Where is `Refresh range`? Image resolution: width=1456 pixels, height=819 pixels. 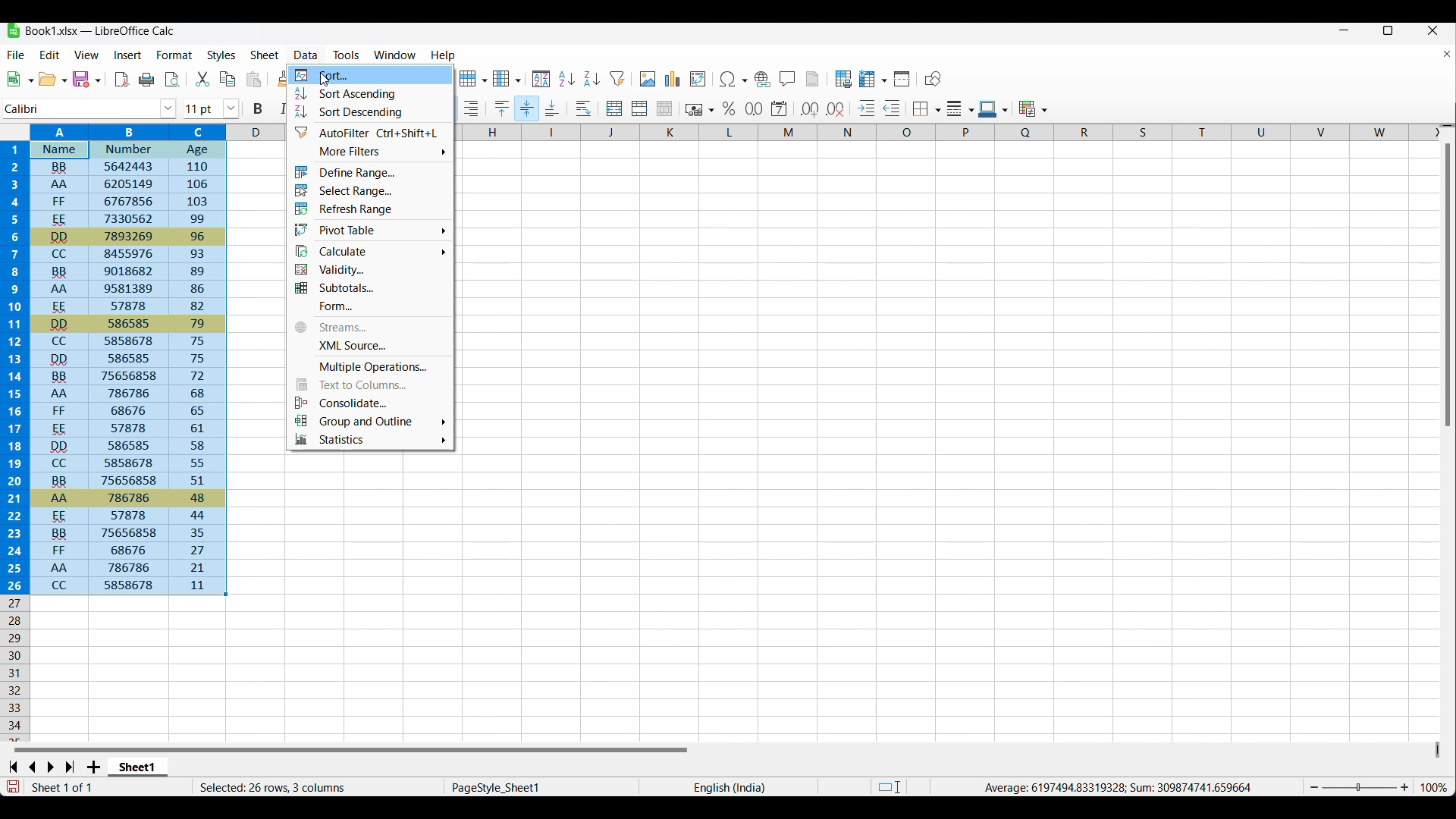 Refresh range is located at coordinates (369, 209).